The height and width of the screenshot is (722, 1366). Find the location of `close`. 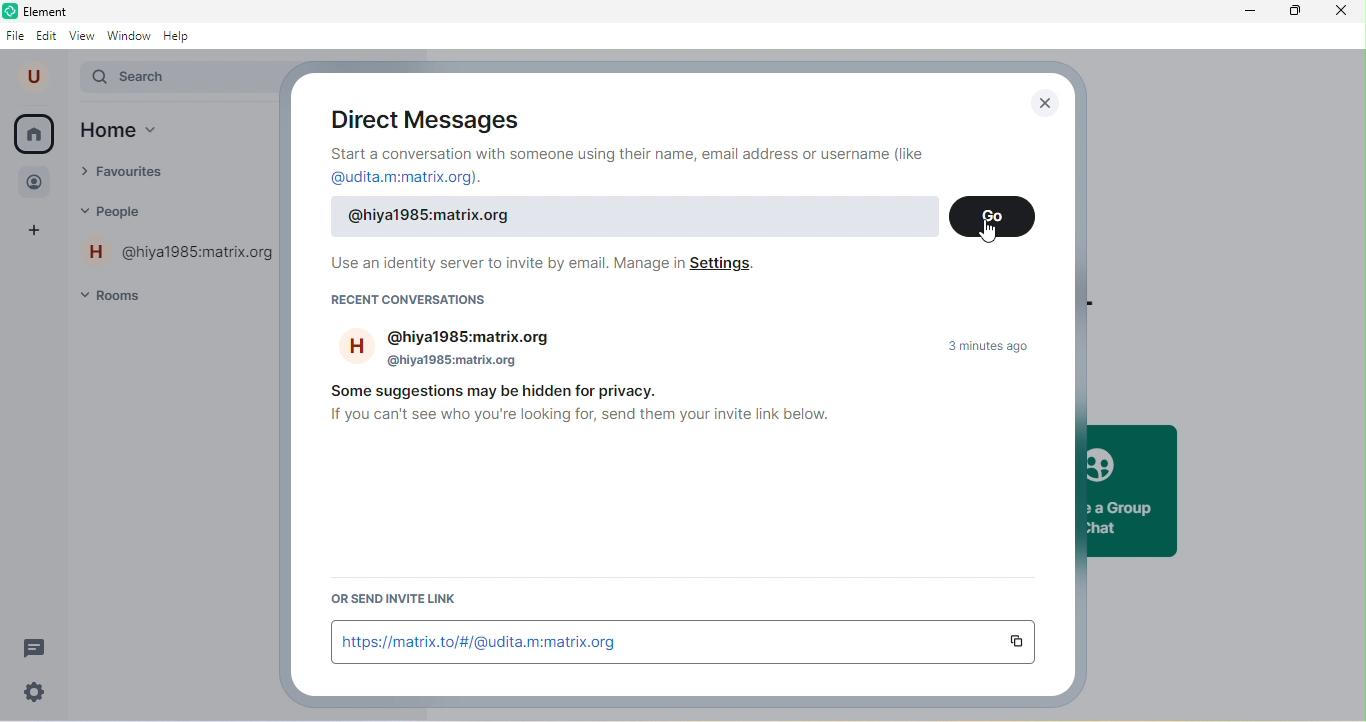

close is located at coordinates (1341, 13).